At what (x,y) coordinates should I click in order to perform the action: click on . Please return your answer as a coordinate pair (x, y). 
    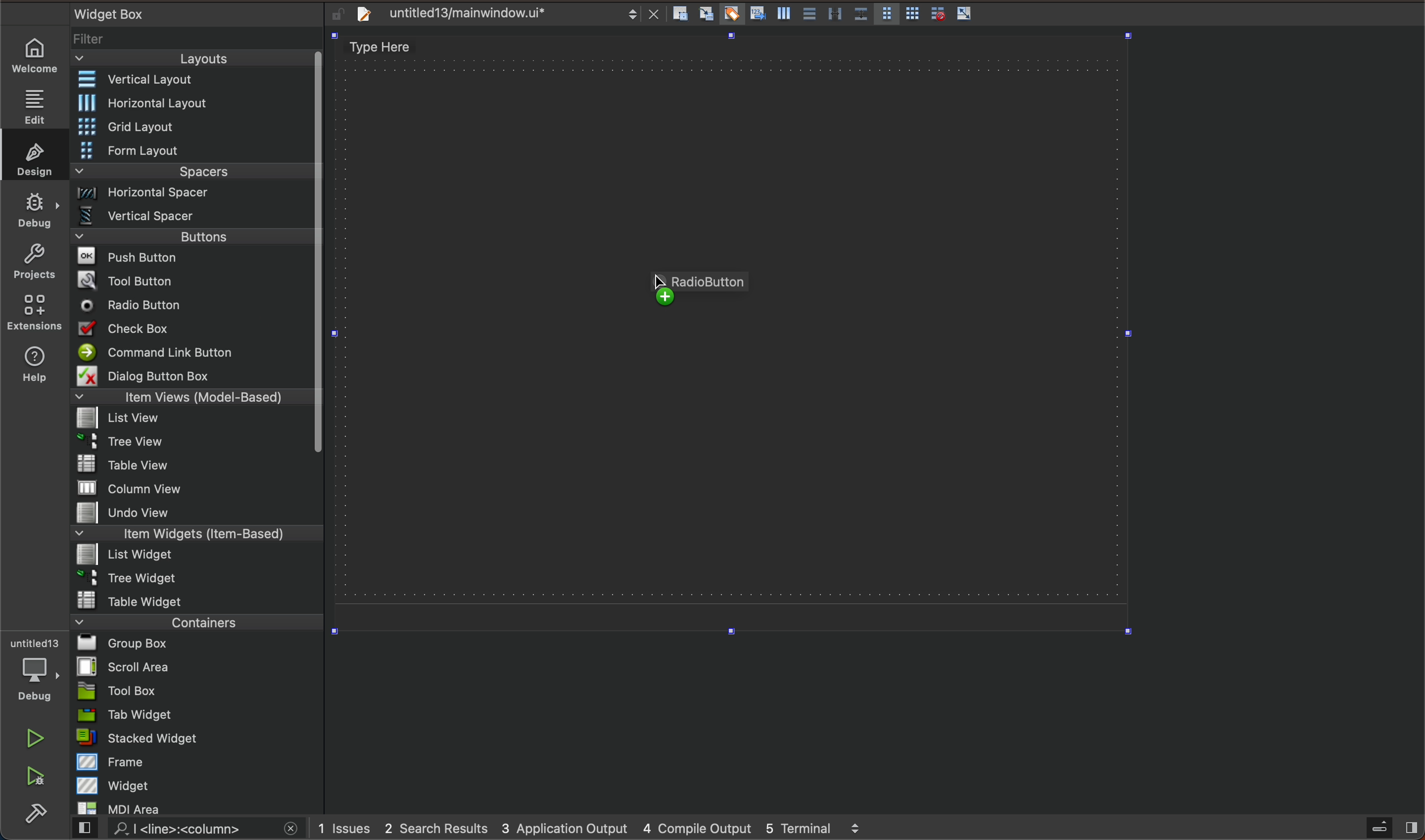
    Looking at the image, I should click on (194, 128).